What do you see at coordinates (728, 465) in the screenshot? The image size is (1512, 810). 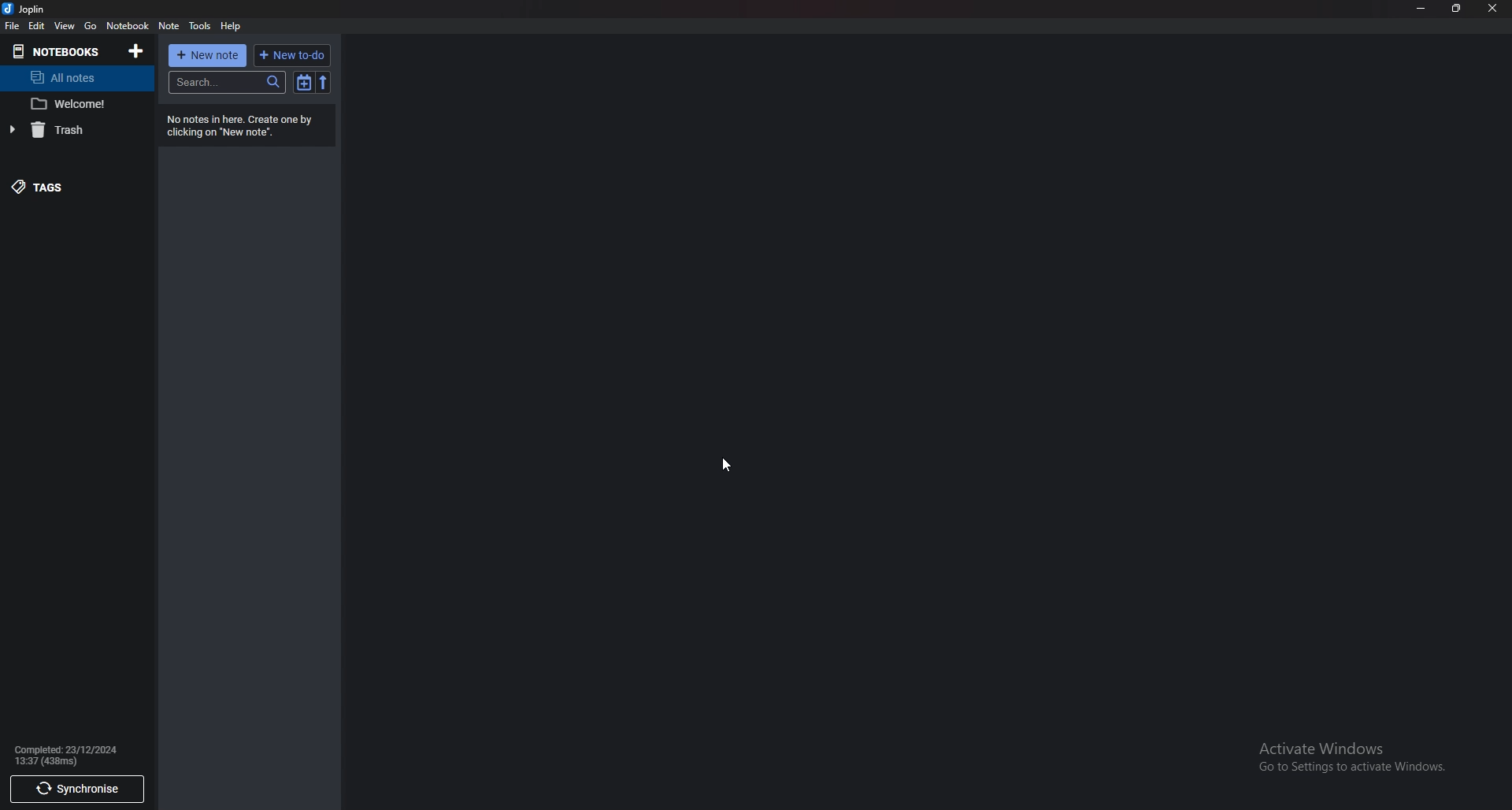 I see `Cursor` at bounding box center [728, 465].